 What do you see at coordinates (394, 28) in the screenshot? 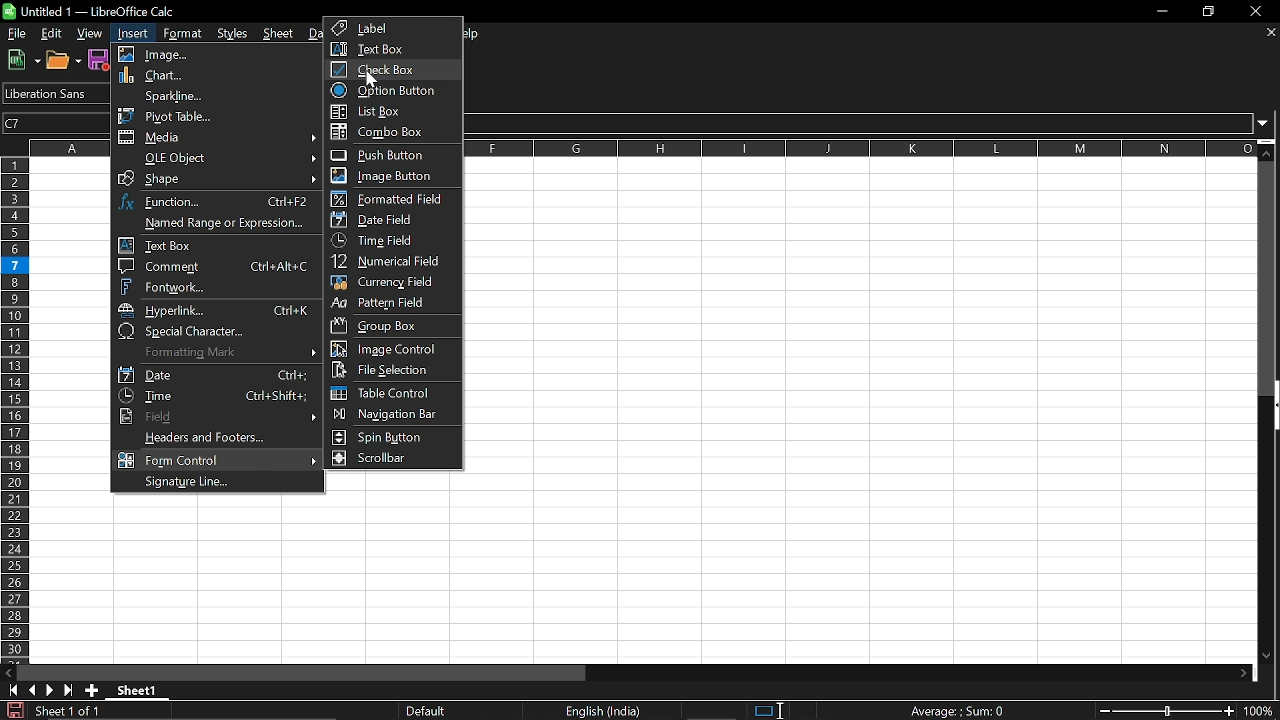
I see `Label` at bounding box center [394, 28].